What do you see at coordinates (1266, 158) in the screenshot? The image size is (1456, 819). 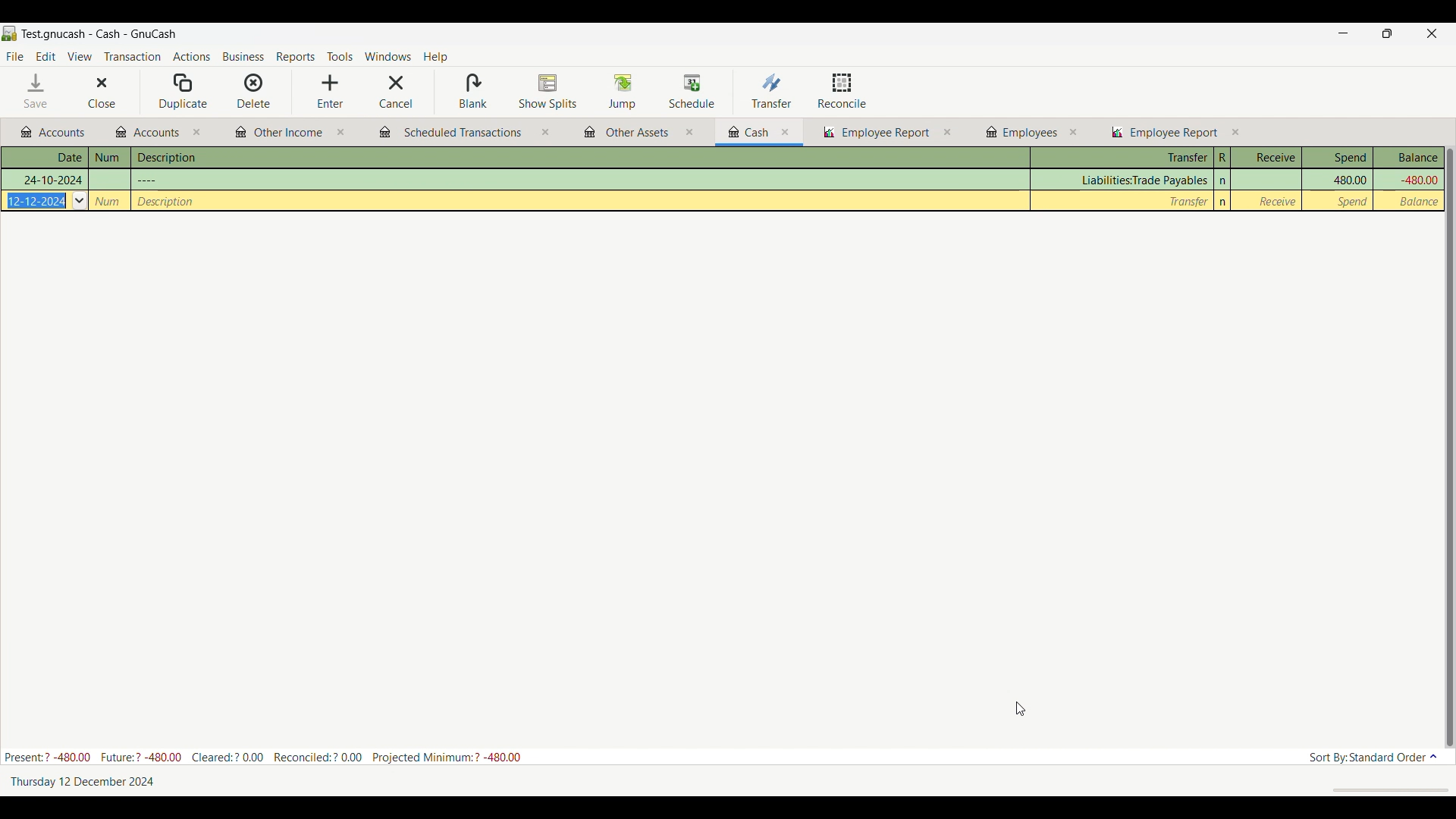 I see `Receive column` at bounding box center [1266, 158].